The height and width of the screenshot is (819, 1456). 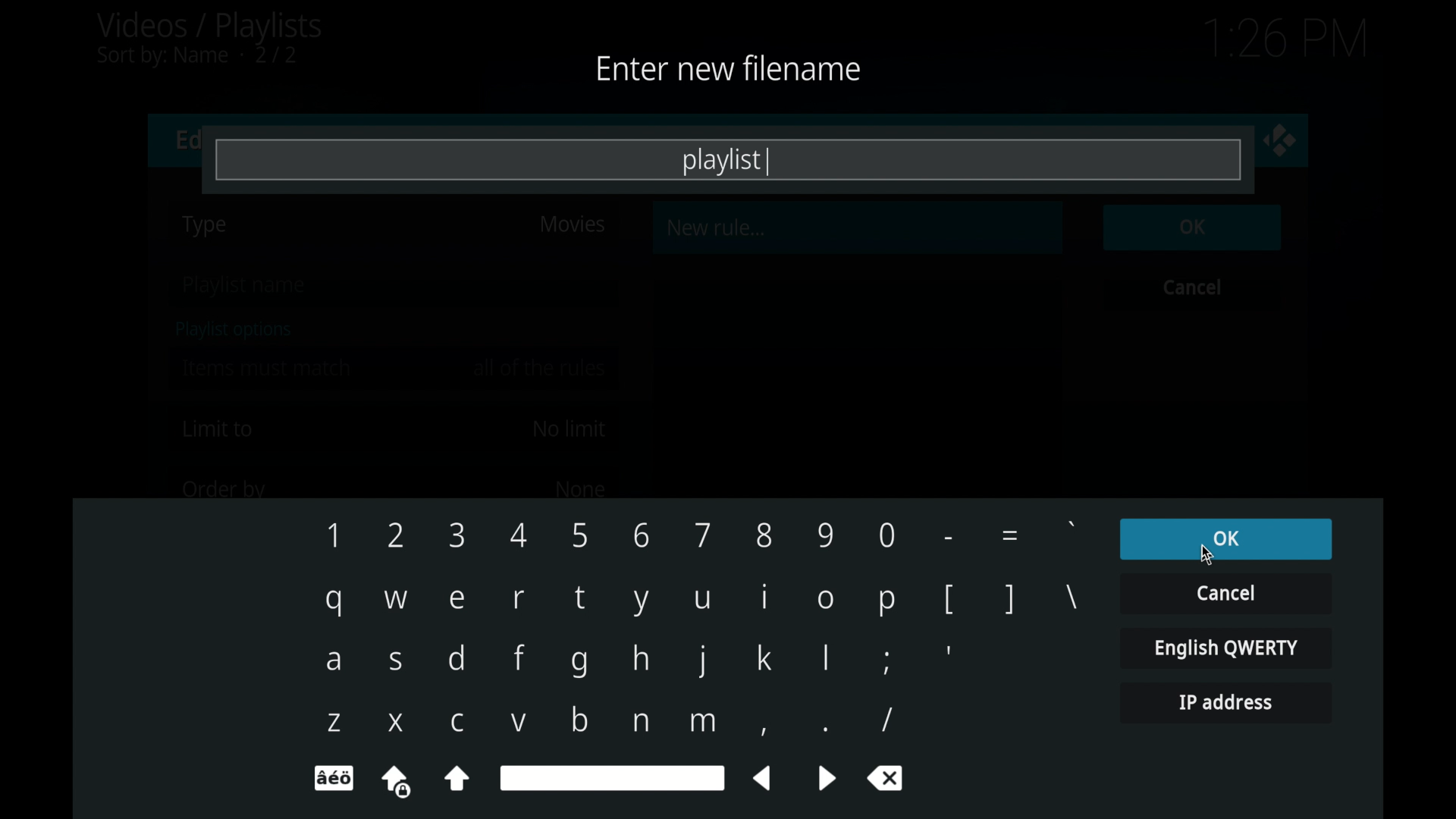 What do you see at coordinates (218, 429) in the screenshot?
I see `limit to` at bounding box center [218, 429].